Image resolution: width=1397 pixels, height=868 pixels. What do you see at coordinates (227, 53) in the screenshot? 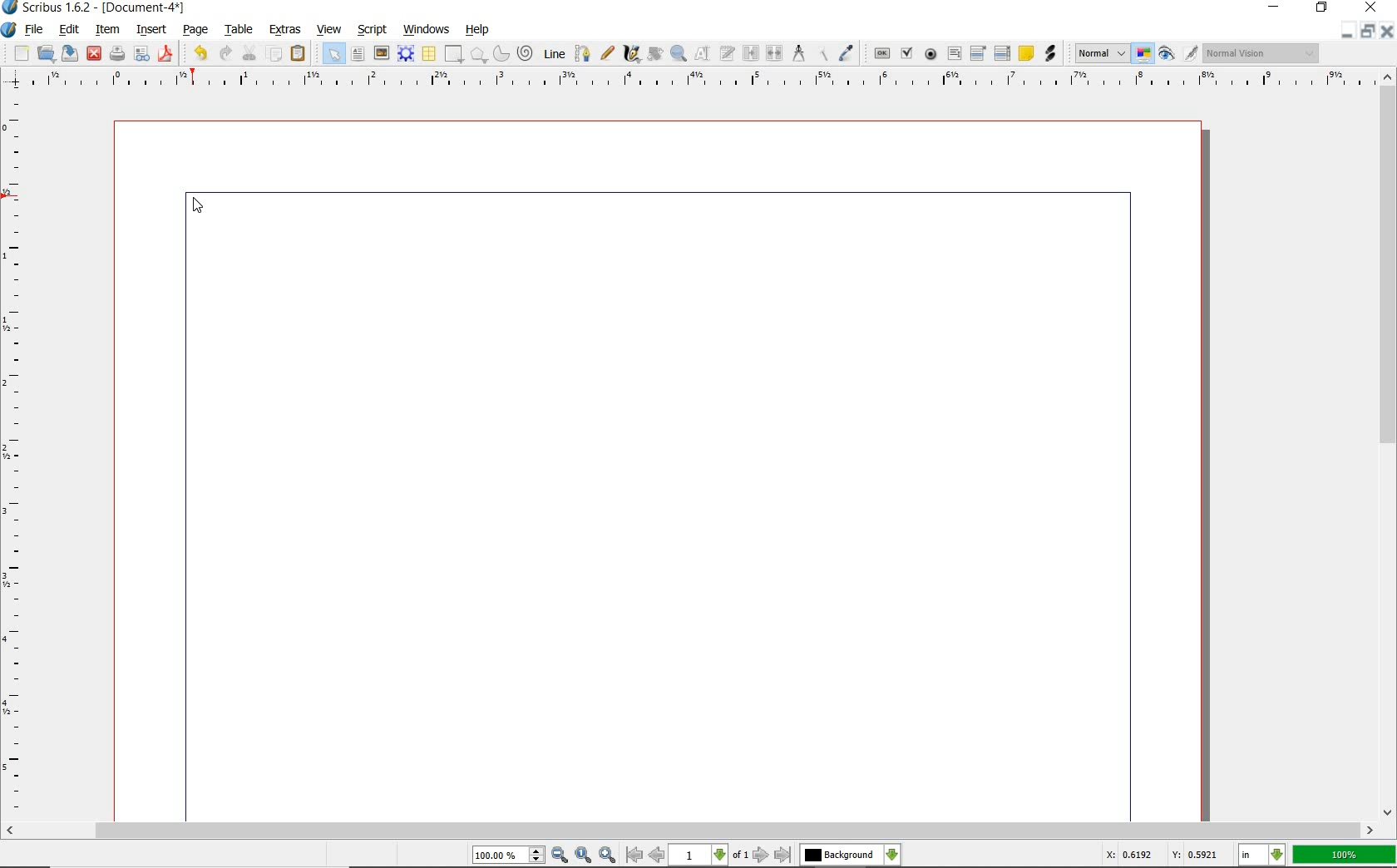
I see `redo` at bounding box center [227, 53].